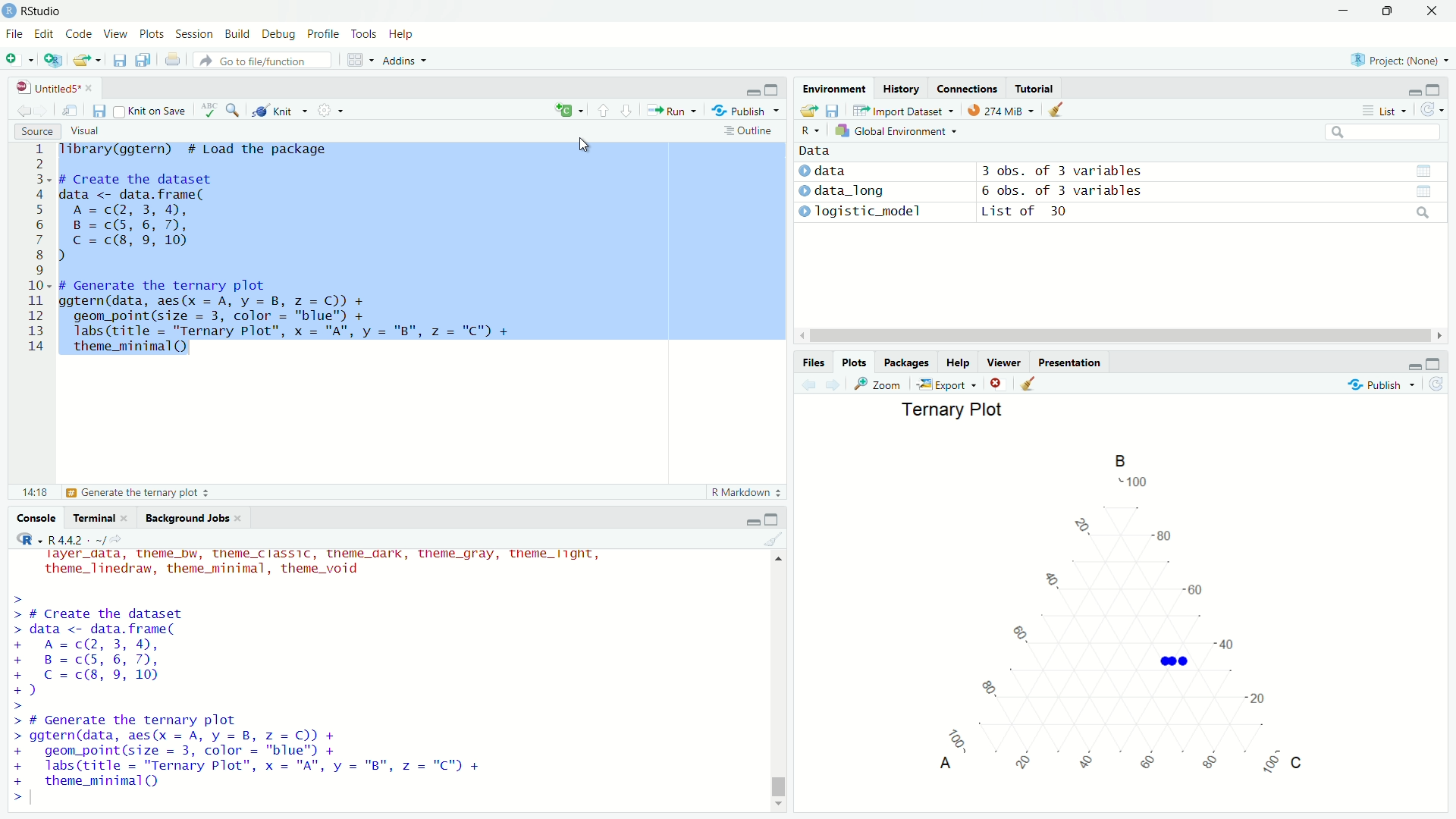 Image resolution: width=1456 pixels, height=819 pixels. I want to click on search, so click(236, 110).